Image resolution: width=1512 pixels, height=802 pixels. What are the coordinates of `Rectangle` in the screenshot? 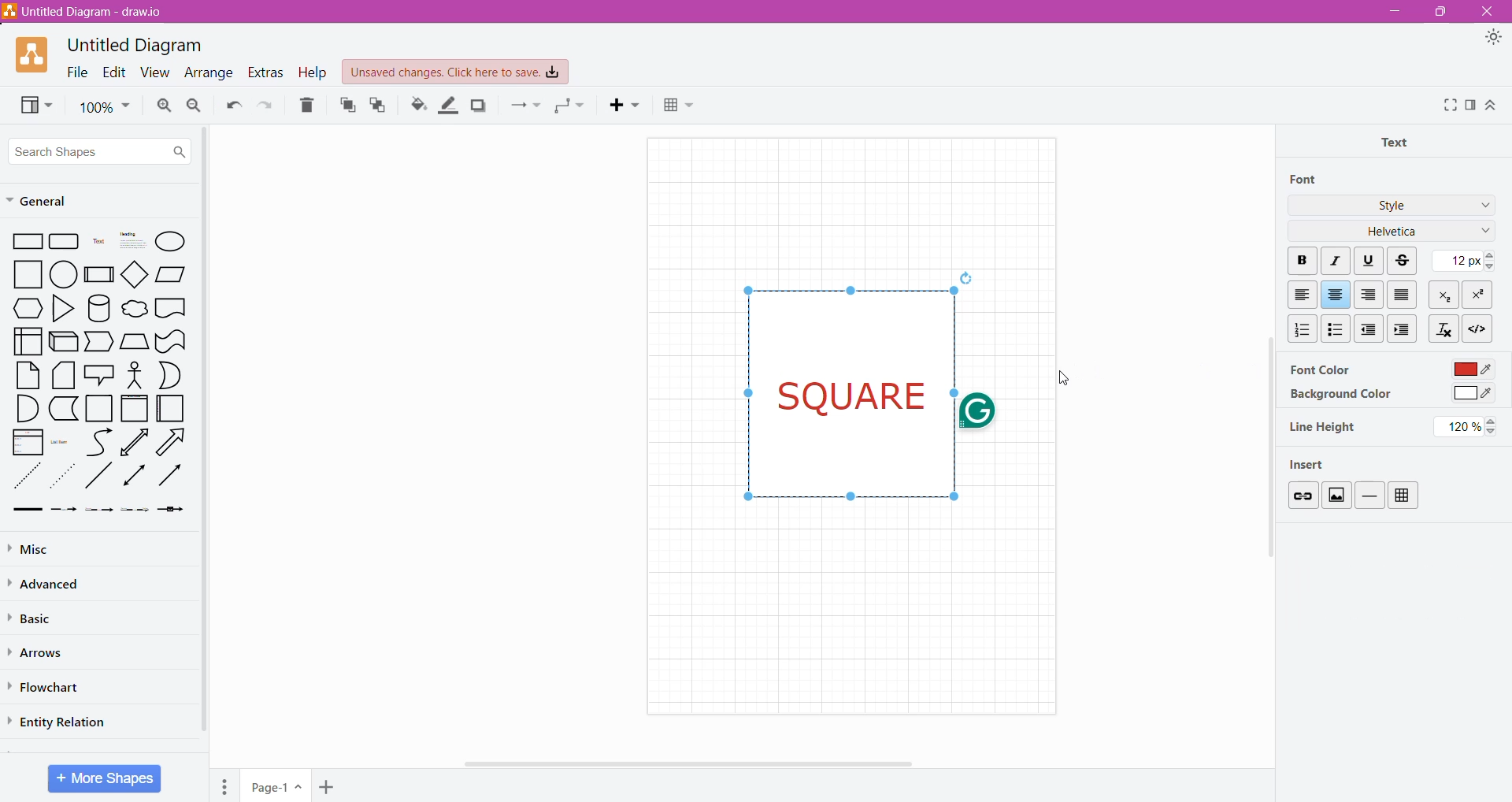 It's located at (24, 240).